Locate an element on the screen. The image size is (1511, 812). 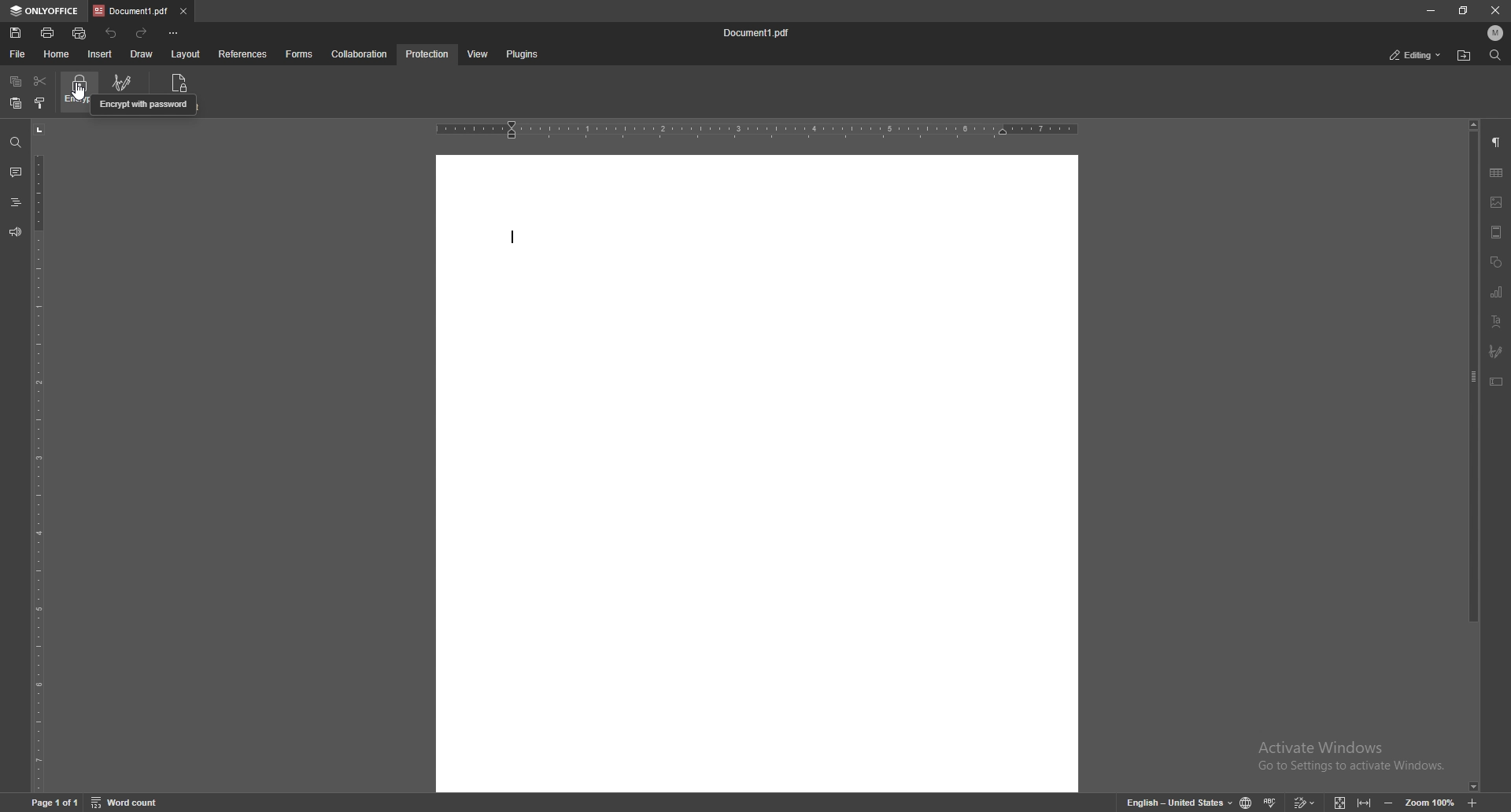
cut is located at coordinates (39, 80).